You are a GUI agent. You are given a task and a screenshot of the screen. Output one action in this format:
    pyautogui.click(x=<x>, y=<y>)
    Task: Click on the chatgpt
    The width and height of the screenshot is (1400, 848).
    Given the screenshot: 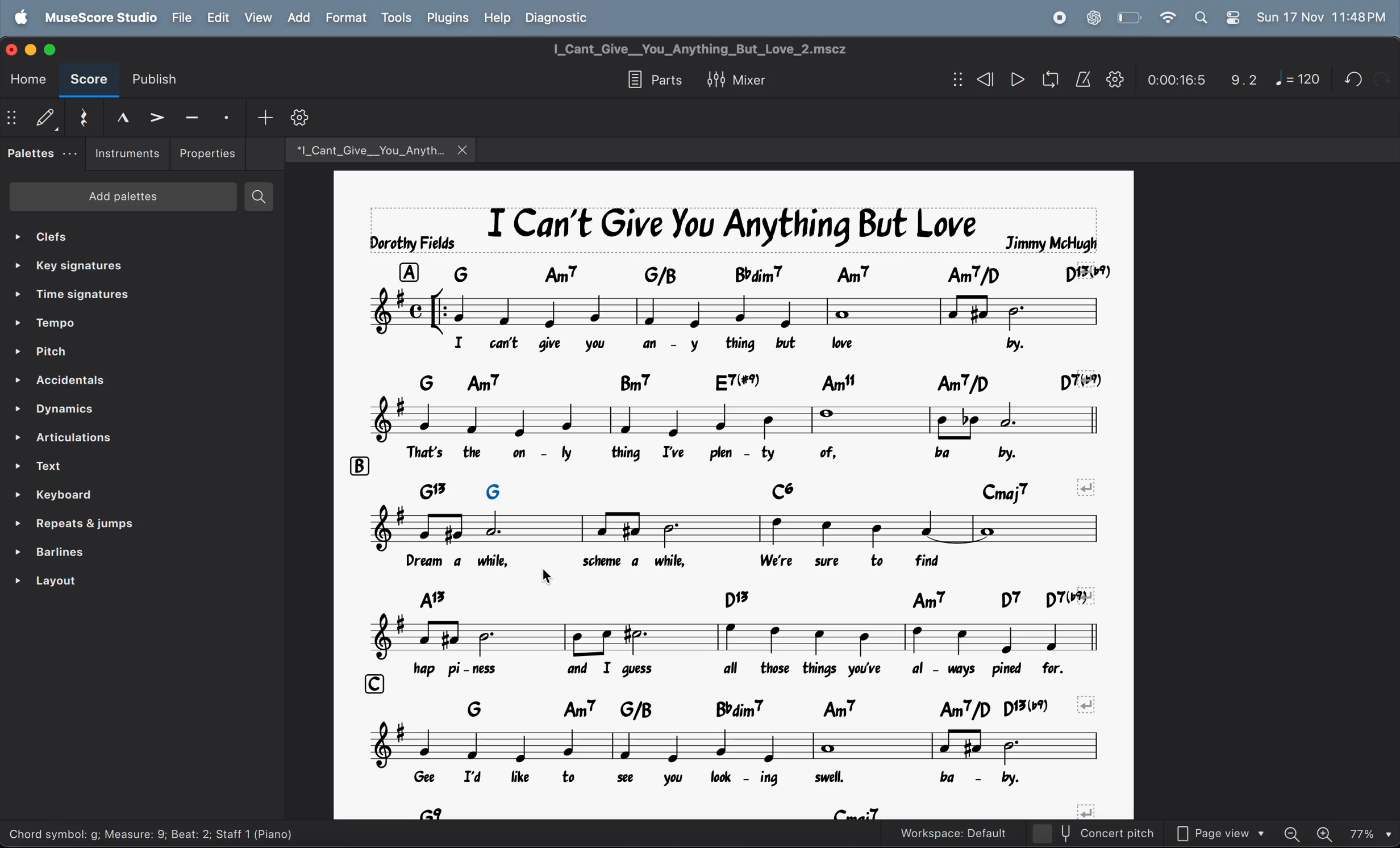 What is the action you would take?
    pyautogui.click(x=1094, y=18)
    